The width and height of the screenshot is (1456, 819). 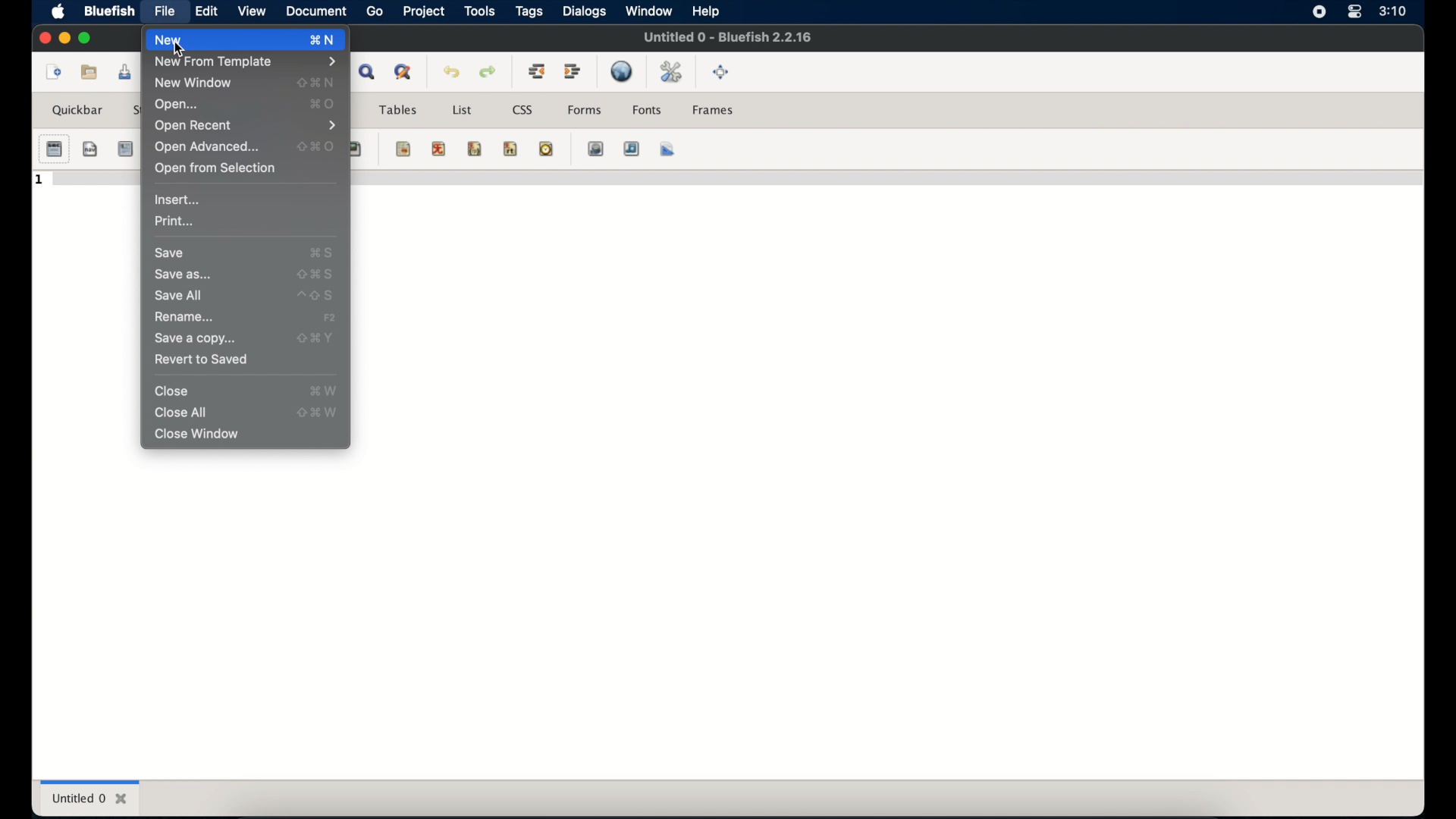 I want to click on canvas , so click(x=668, y=149).